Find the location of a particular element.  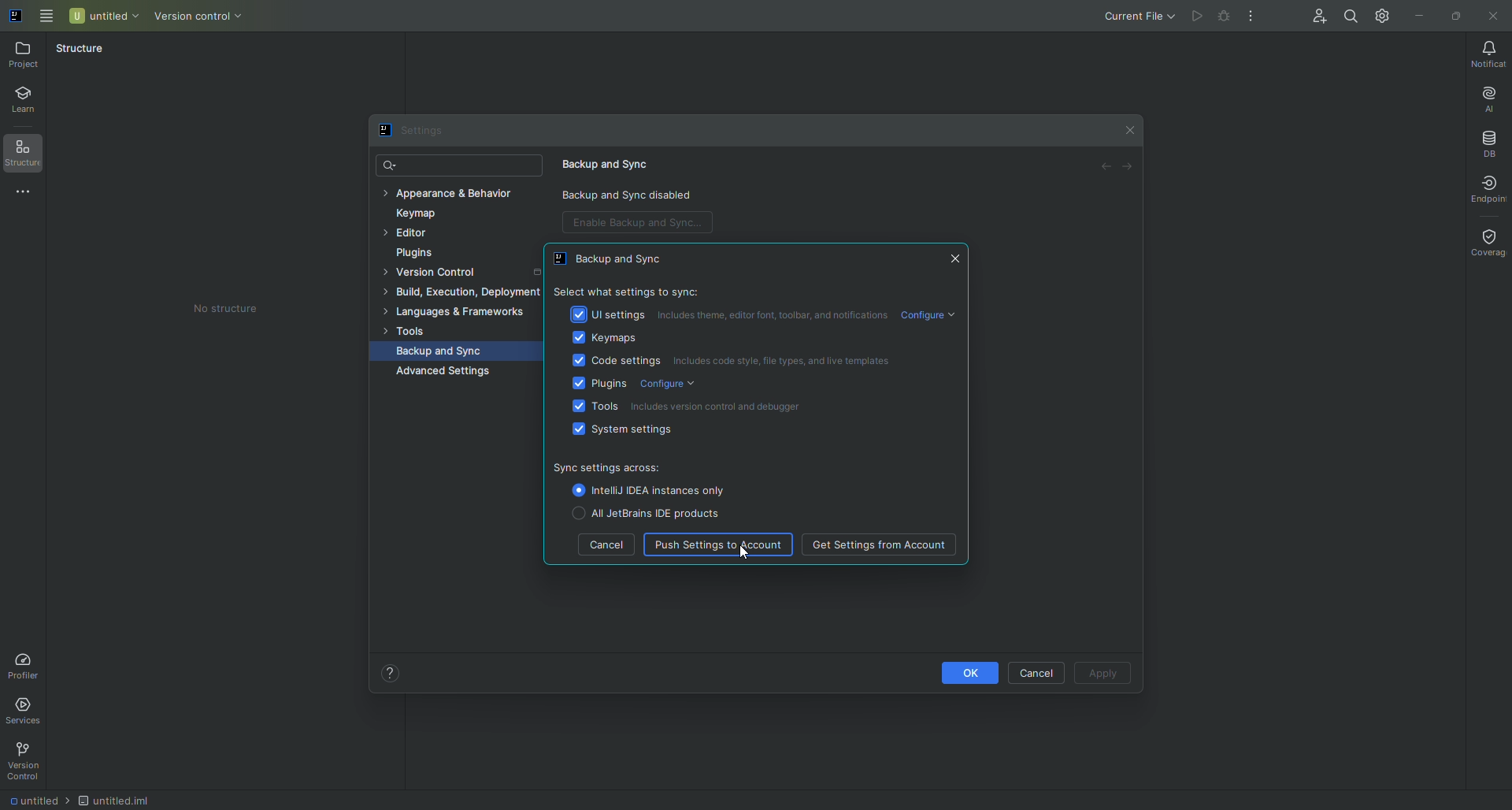

Database is located at coordinates (1488, 142).